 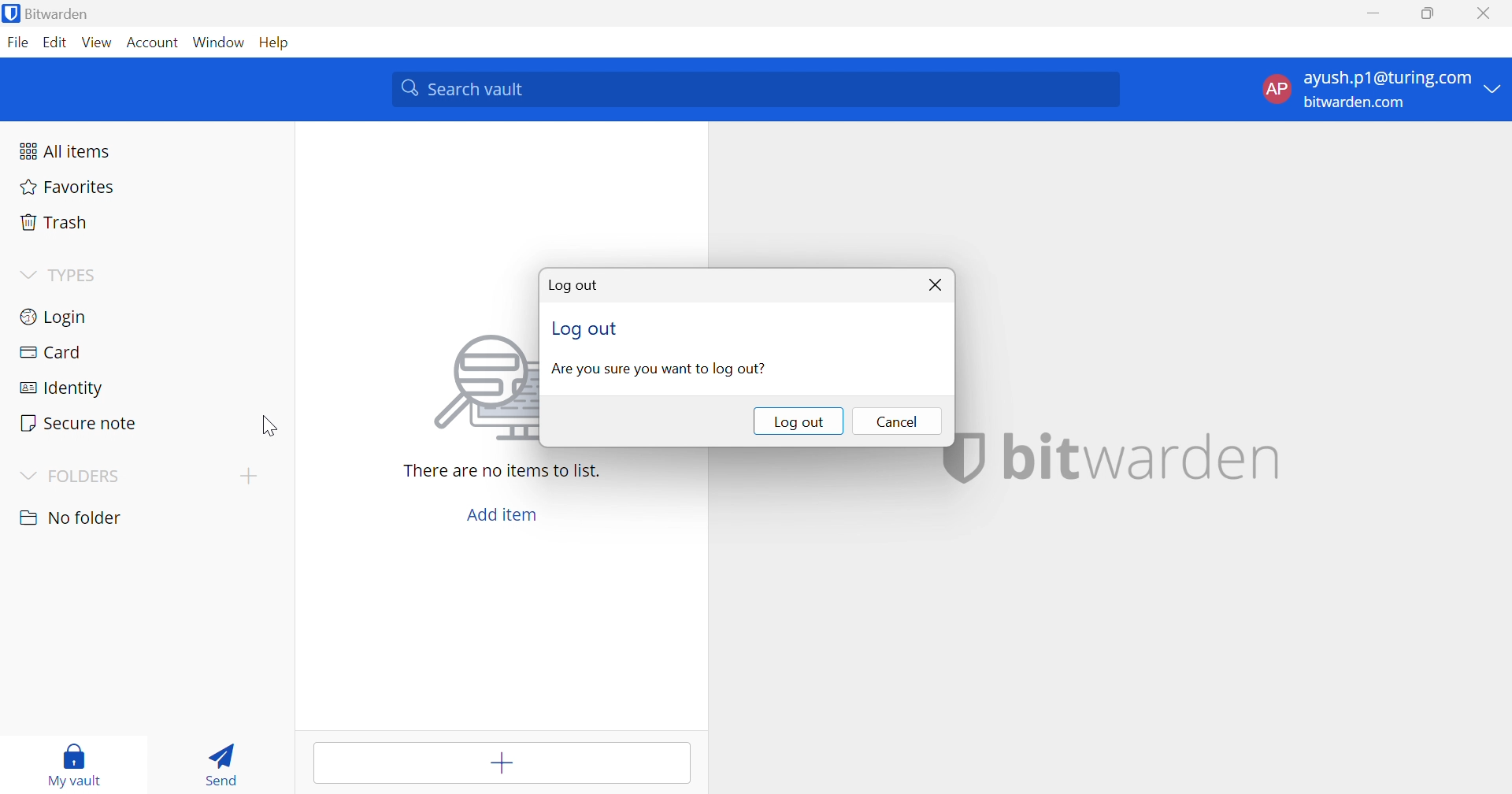 I want to click on Add tem, so click(x=505, y=763).